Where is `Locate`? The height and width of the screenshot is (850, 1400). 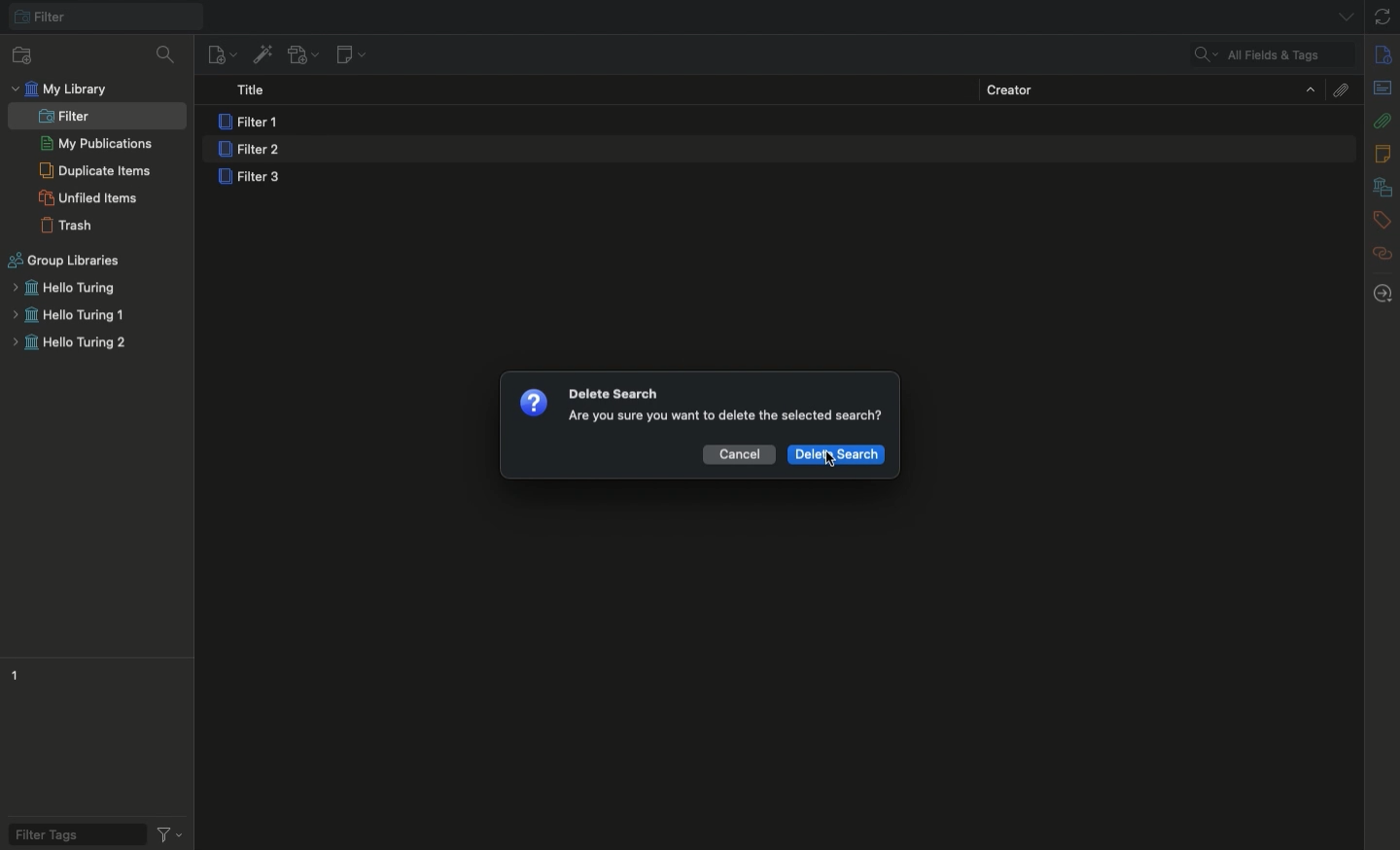
Locate is located at coordinates (1382, 294).